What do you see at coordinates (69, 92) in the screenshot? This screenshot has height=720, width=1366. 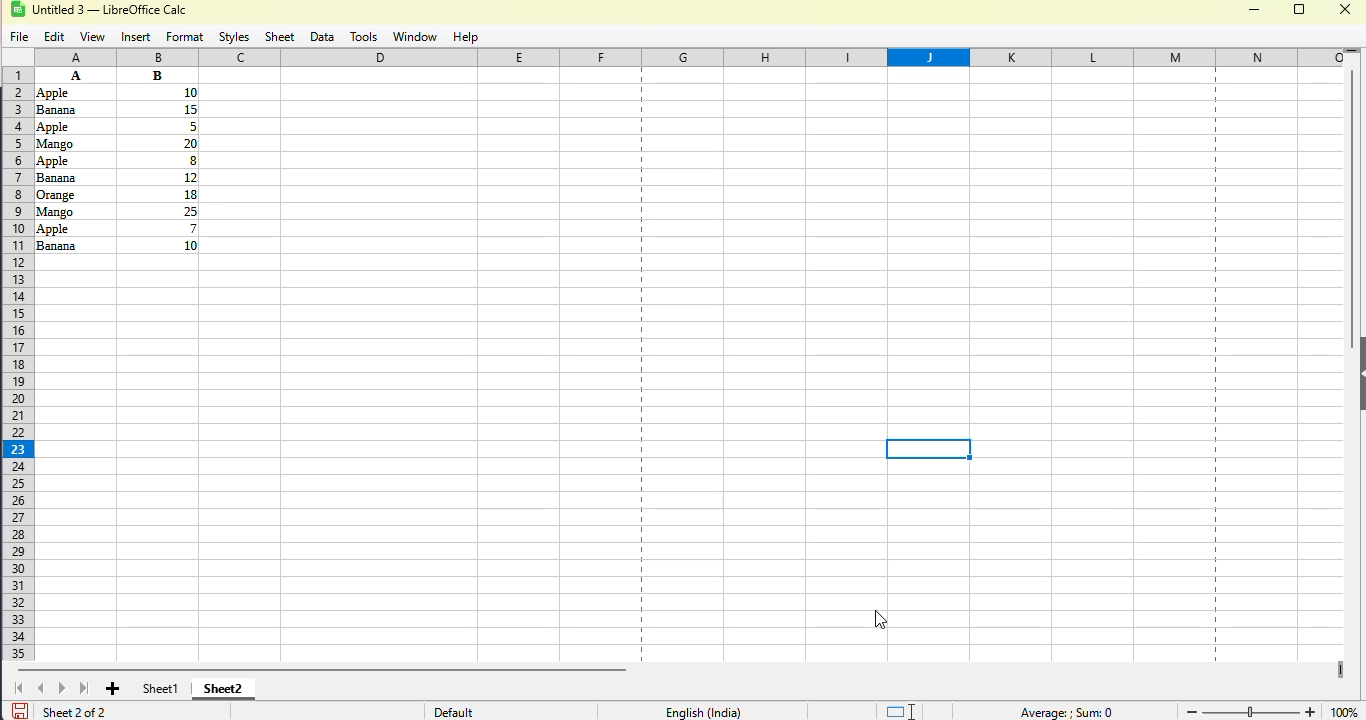 I see `` at bounding box center [69, 92].